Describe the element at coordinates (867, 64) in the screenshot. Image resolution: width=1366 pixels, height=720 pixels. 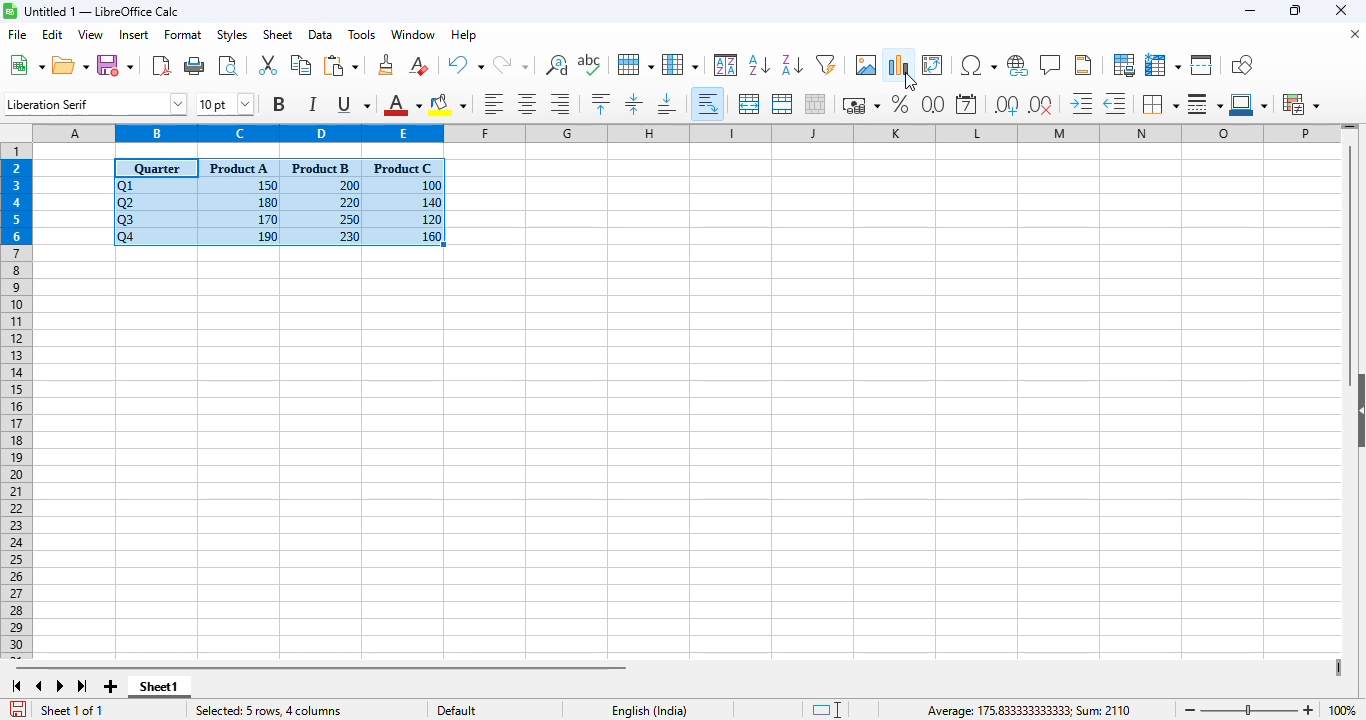
I see `insert image` at that location.